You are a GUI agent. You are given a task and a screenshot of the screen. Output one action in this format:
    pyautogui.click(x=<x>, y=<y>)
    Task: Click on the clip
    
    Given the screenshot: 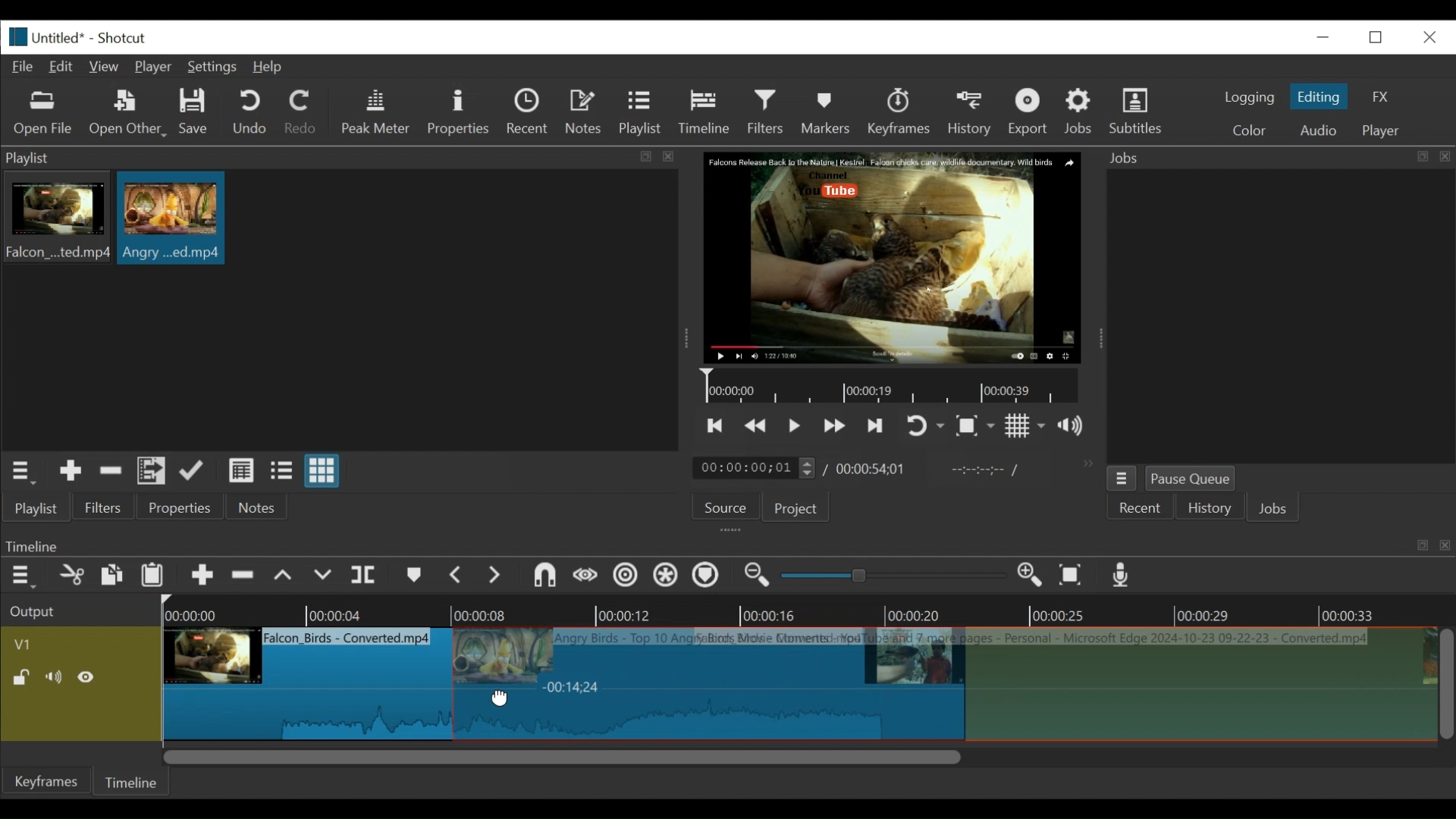 What is the action you would take?
    pyautogui.click(x=55, y=220)
    